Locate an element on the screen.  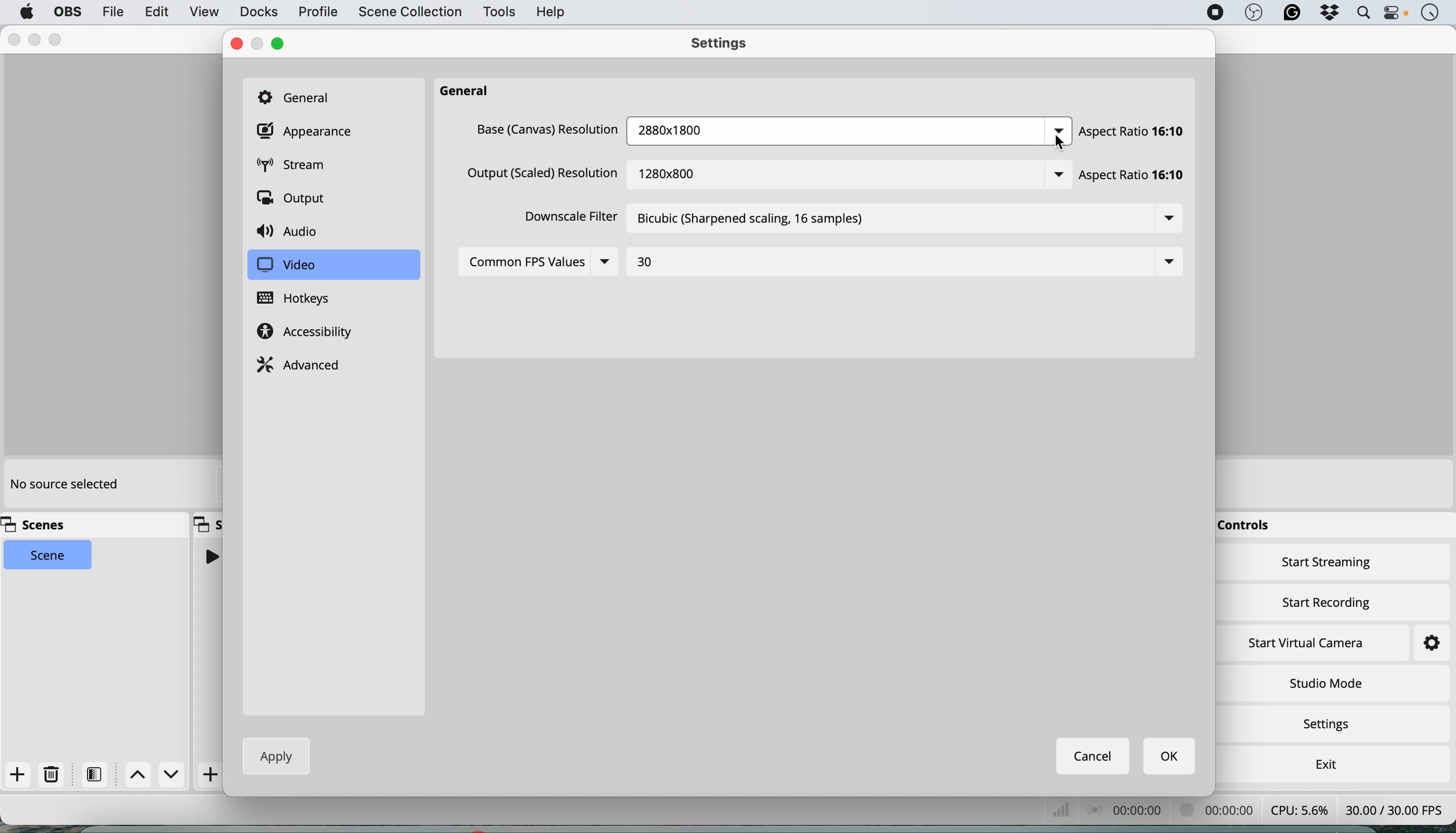
advanced is located at coordinates (301, 363).